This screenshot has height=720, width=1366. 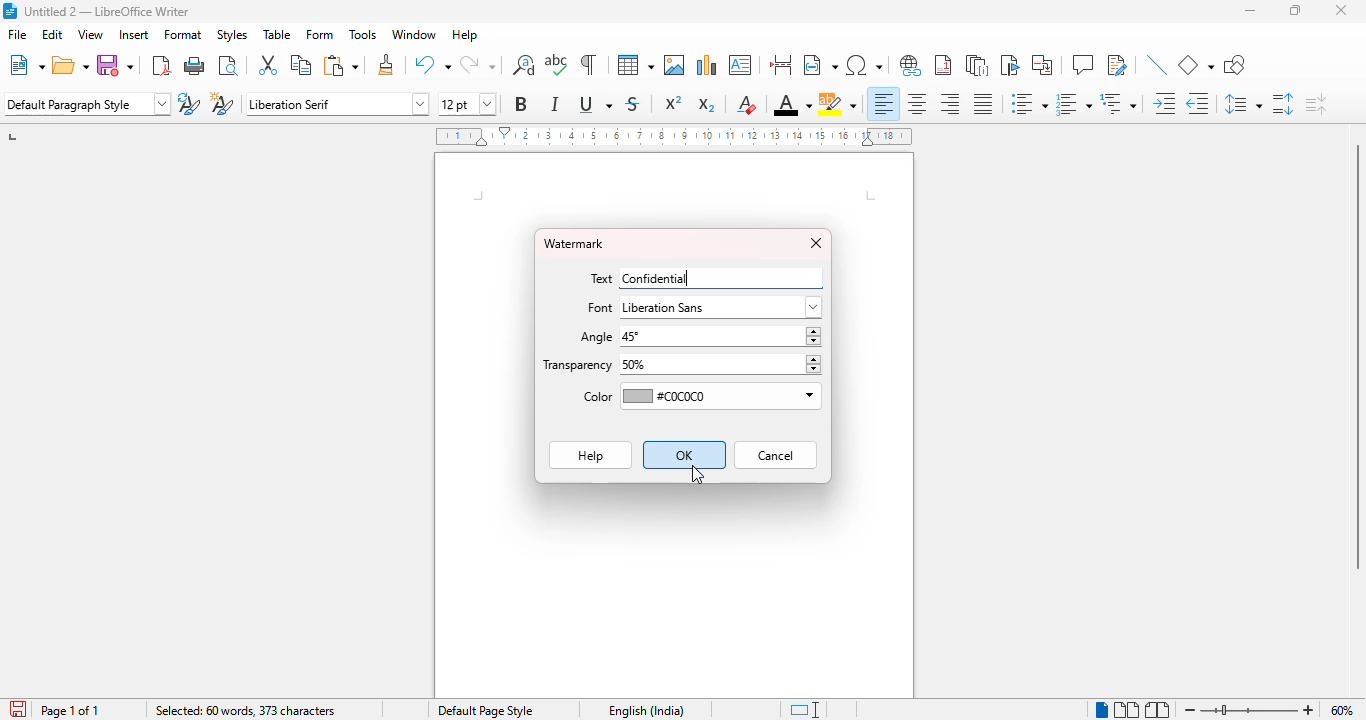 I want to click on single-page view, so click(x=1102, y=709).